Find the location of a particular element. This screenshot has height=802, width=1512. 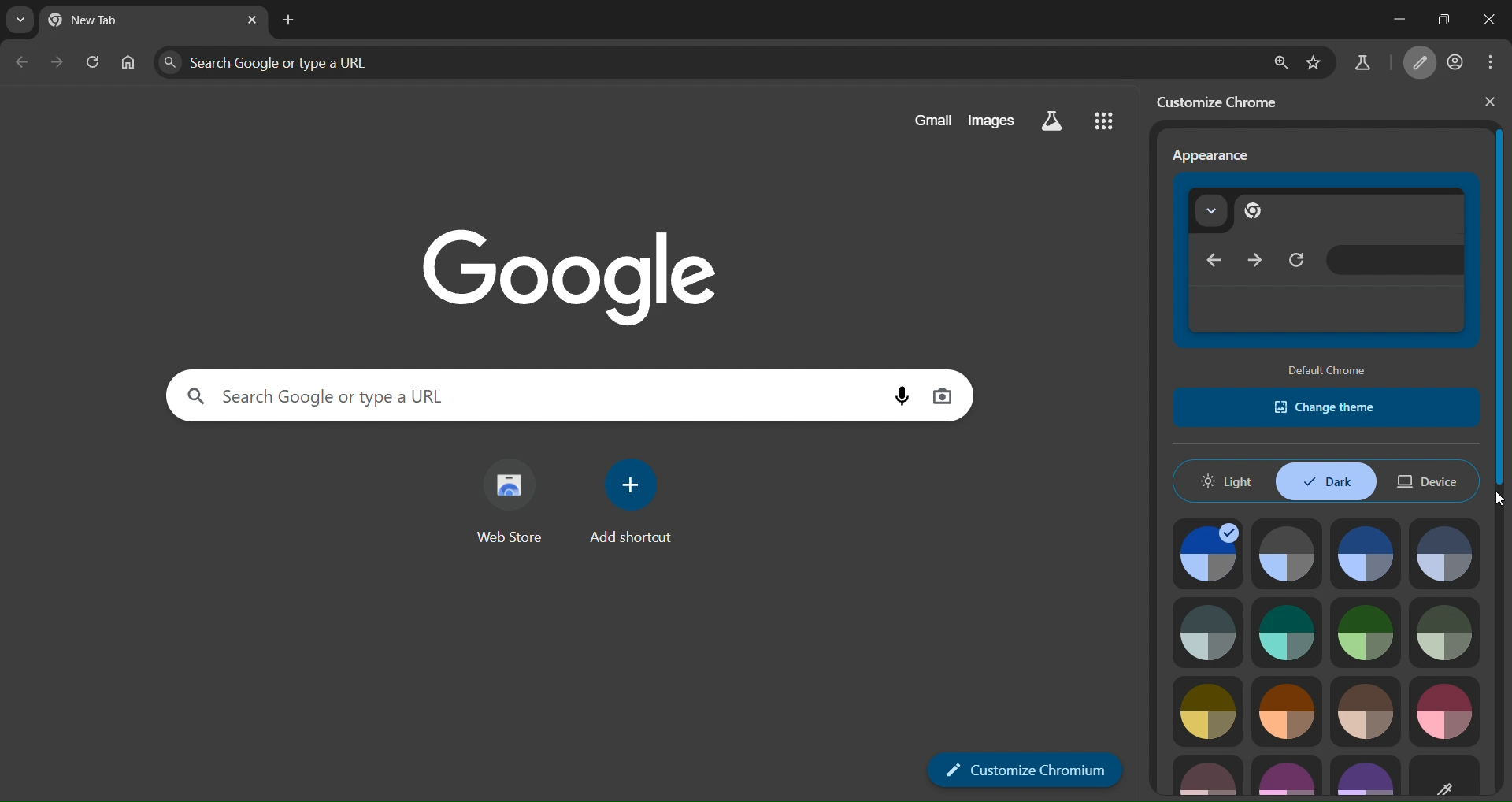

images is located at coordinates (989, 121).